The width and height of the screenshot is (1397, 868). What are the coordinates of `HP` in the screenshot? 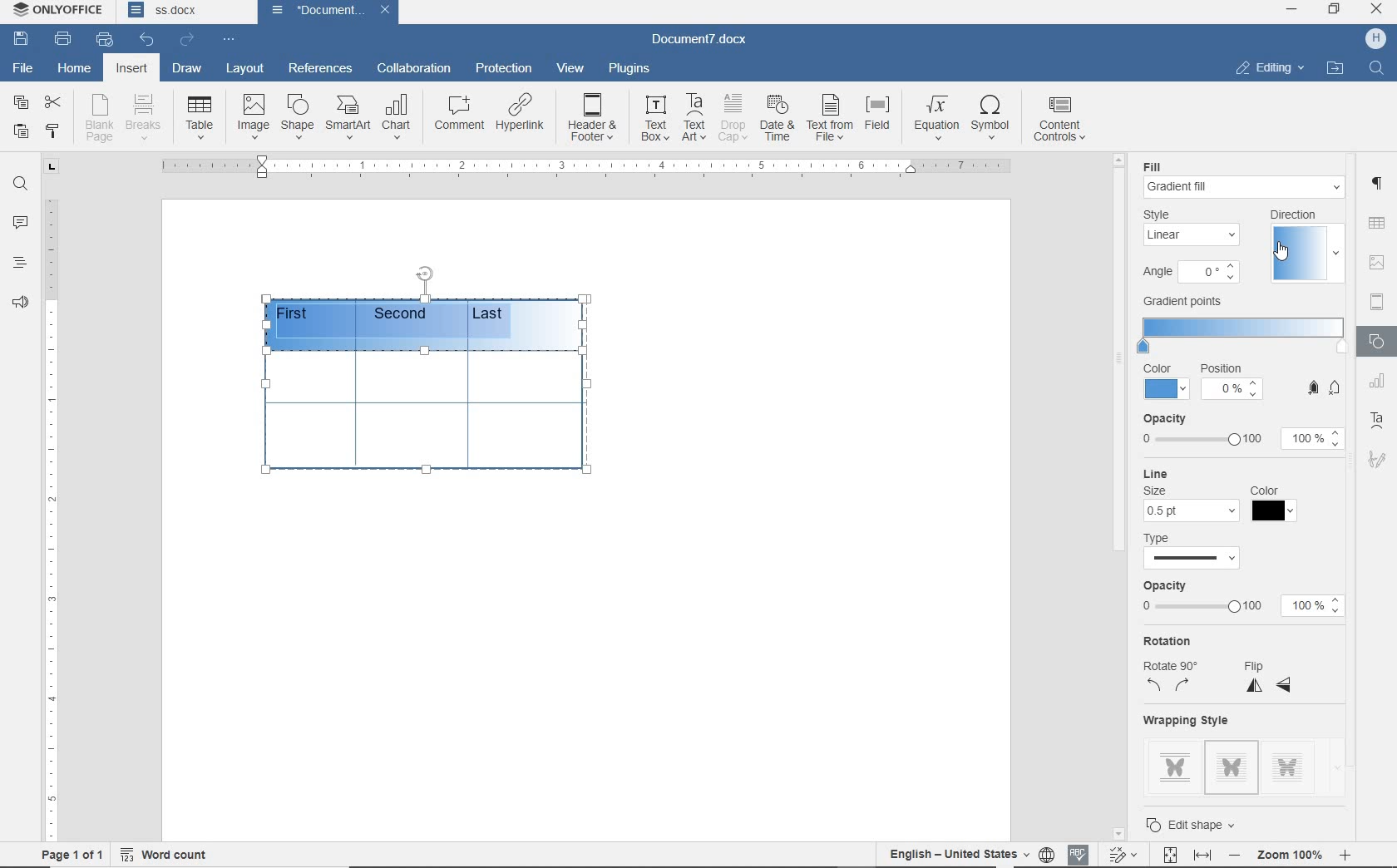 It's located at (1374, 38).